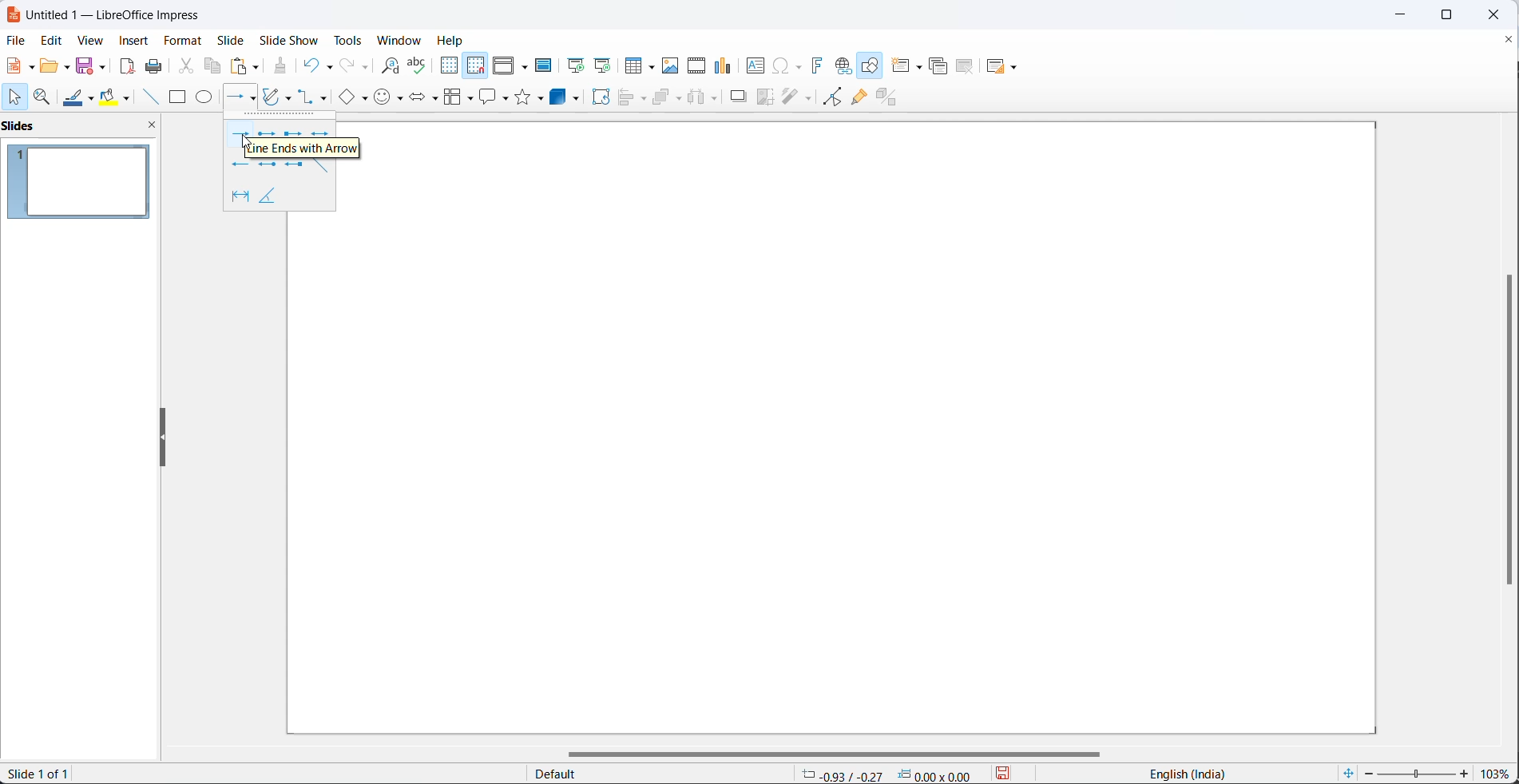  I want to click on insert text, so click(752, 65).